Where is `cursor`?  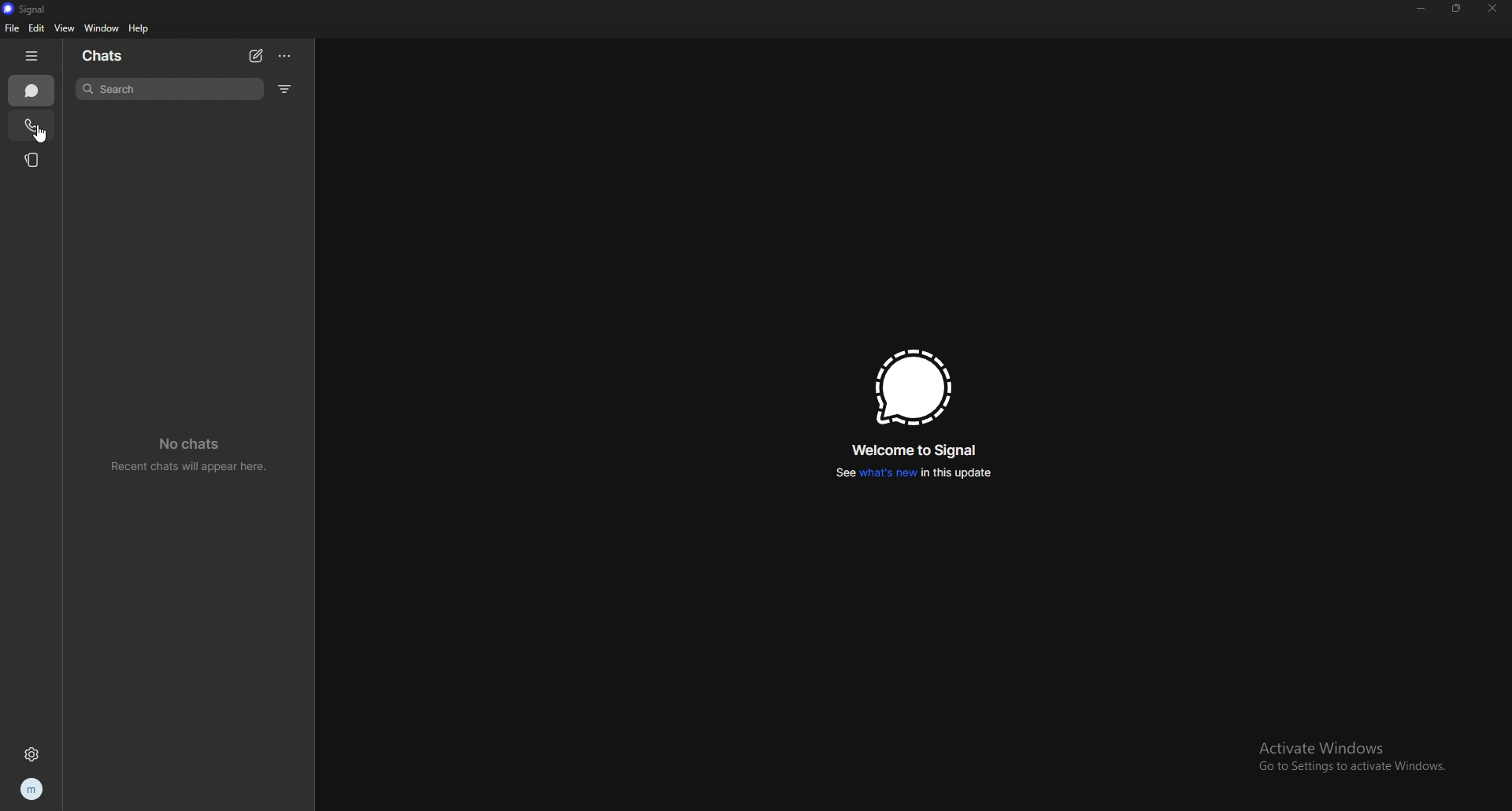 cursor is located at coordinates (39, 135).